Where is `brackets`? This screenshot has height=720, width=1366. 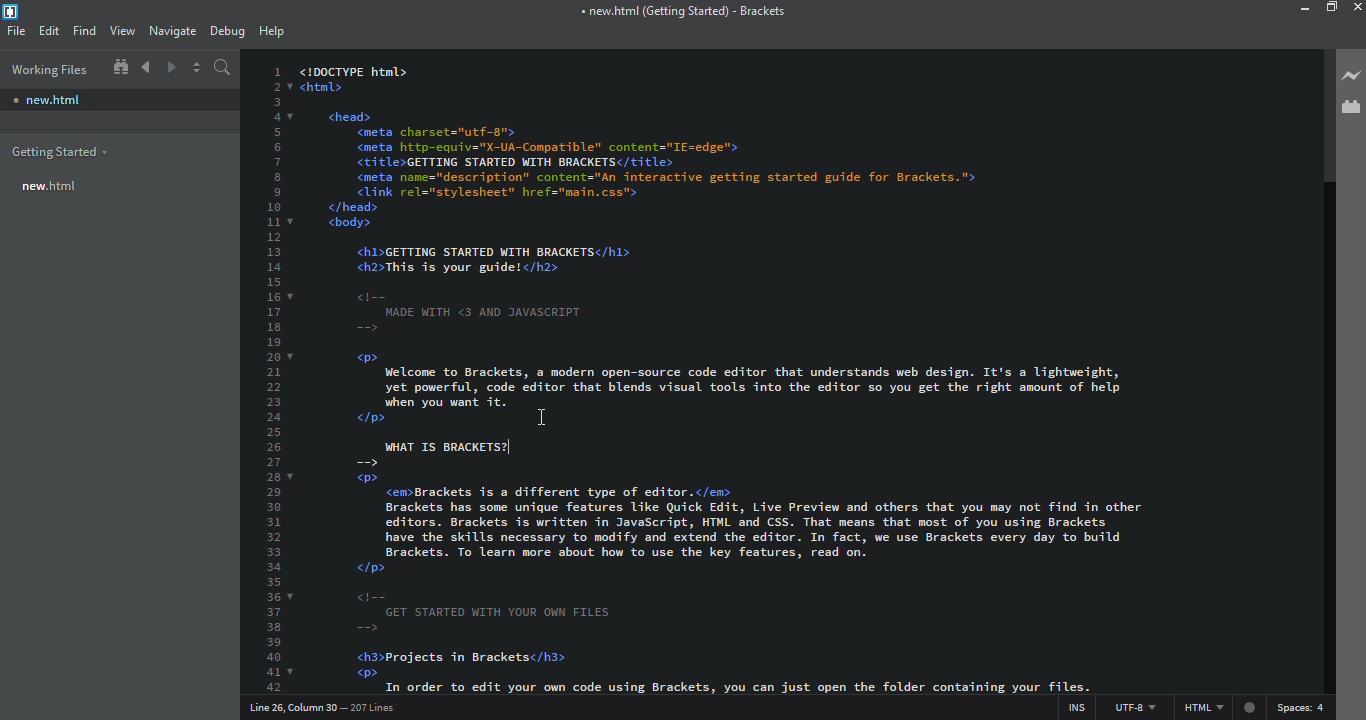
brackets is located at coordinates (14, 12).